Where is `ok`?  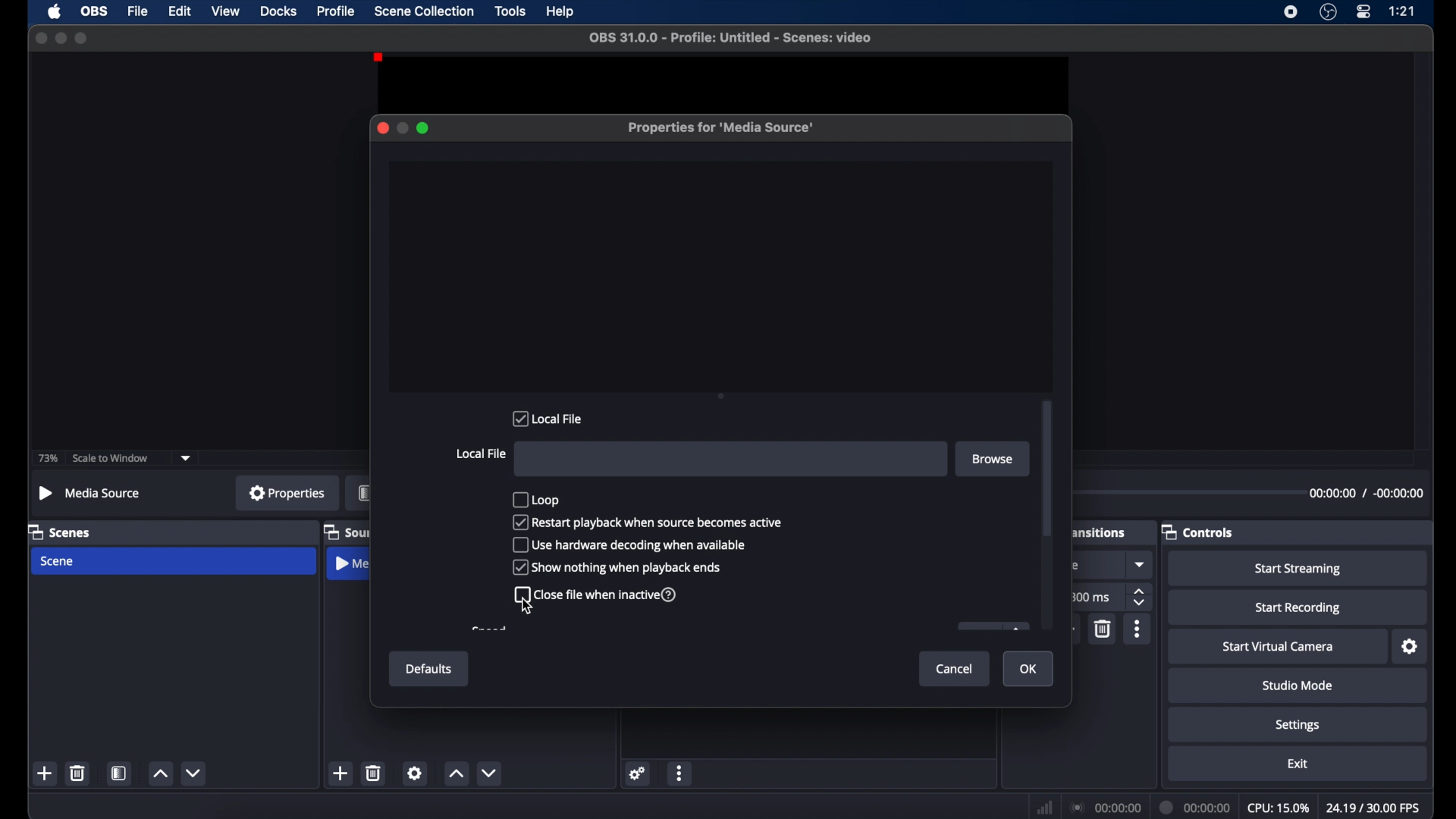
ok is located at coordinates (1031, 670).